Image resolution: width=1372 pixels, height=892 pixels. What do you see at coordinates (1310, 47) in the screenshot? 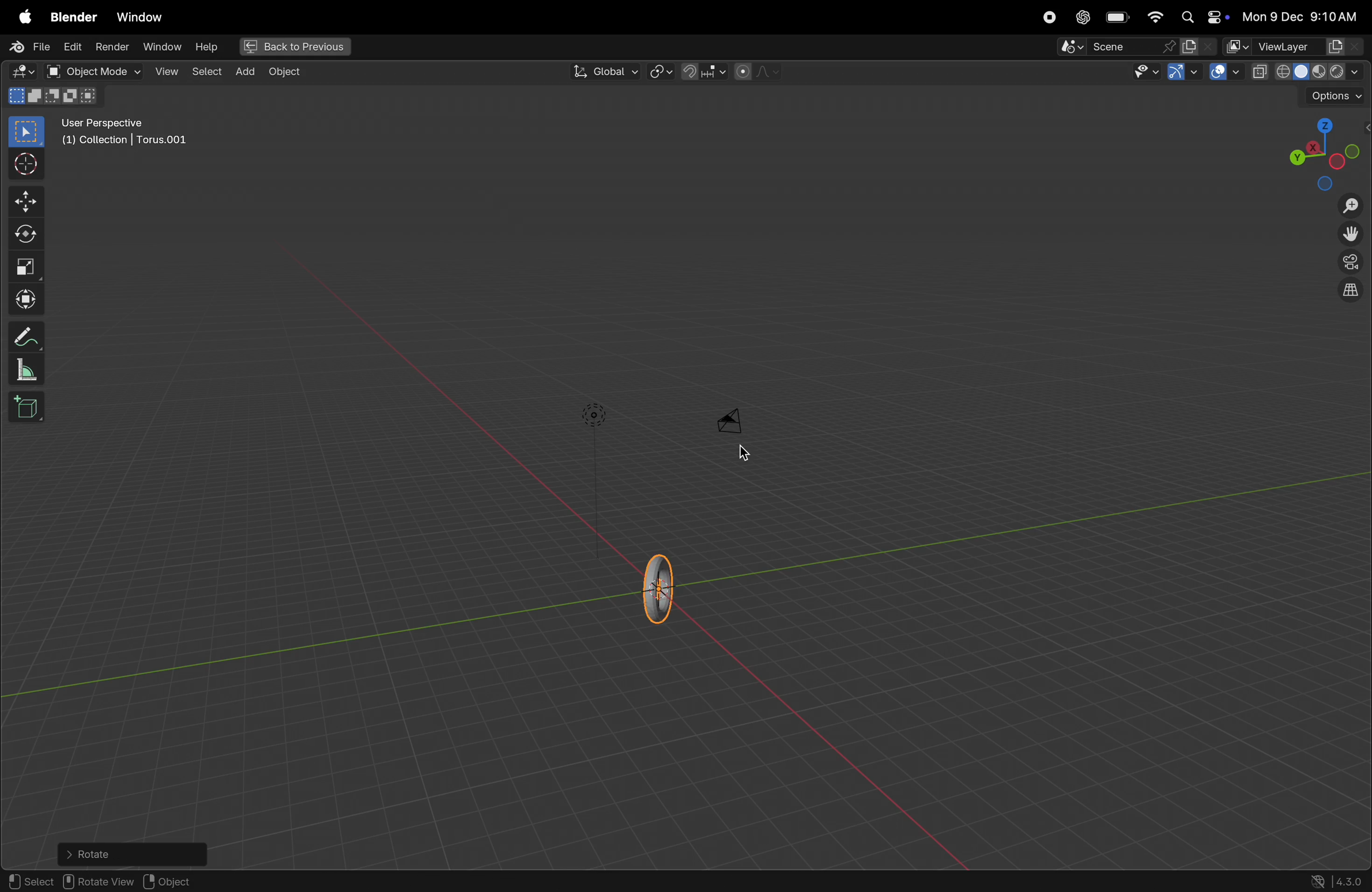
I see `view layers` at bounding box center [1310, 47].